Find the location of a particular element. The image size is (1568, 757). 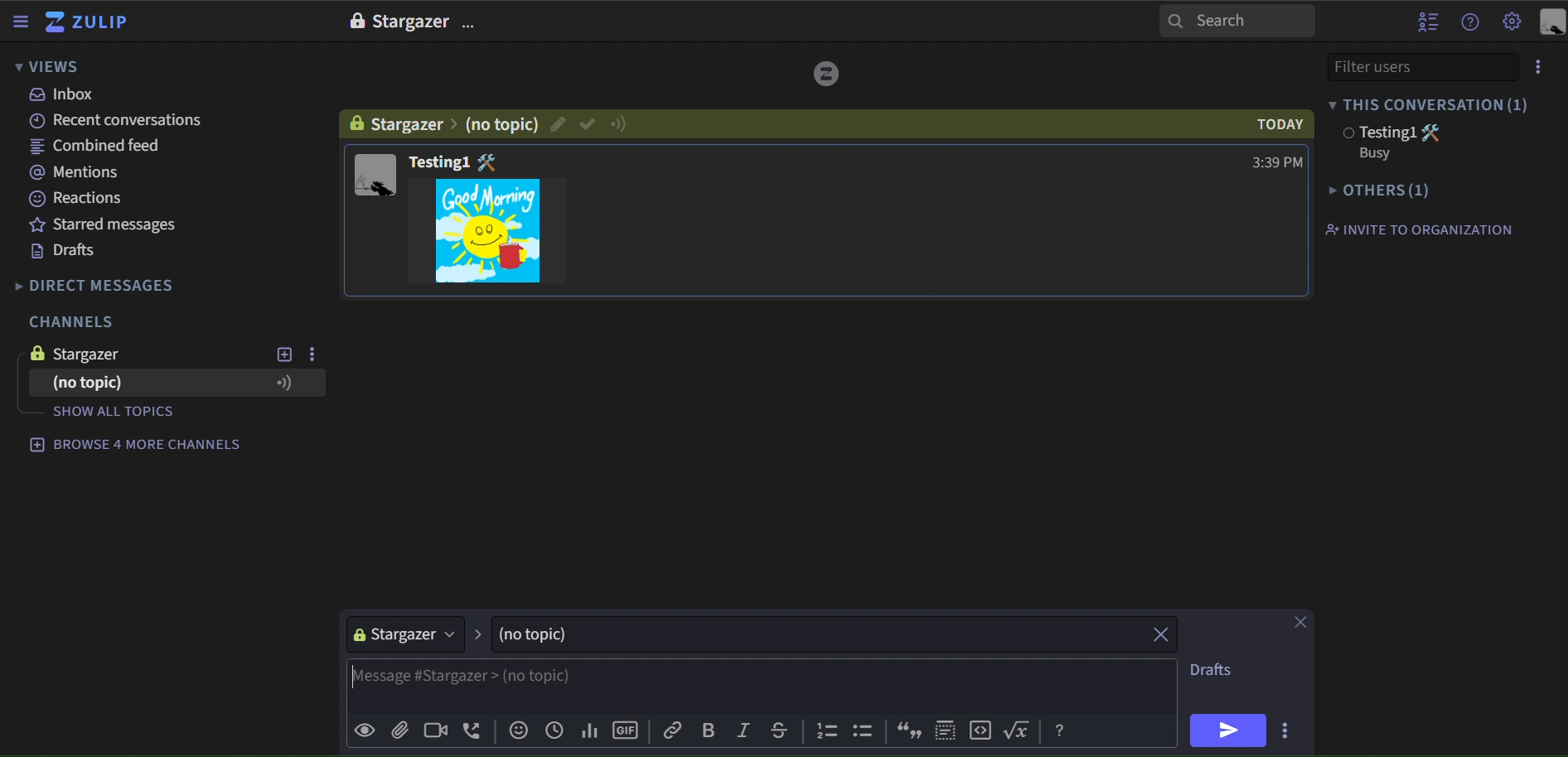

testing1 is located at coordinates (1374, 133).